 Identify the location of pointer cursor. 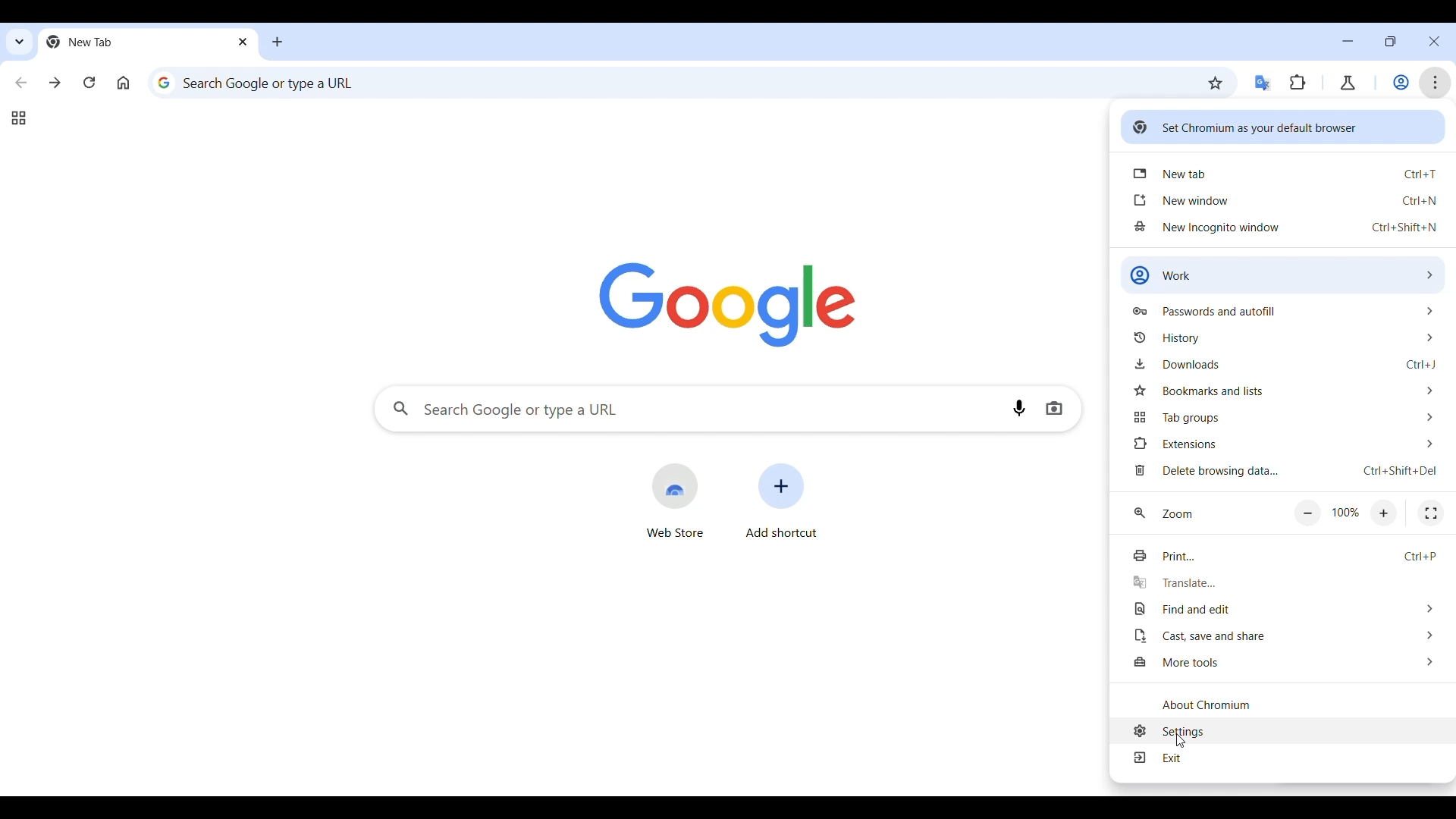
(1180, 742).